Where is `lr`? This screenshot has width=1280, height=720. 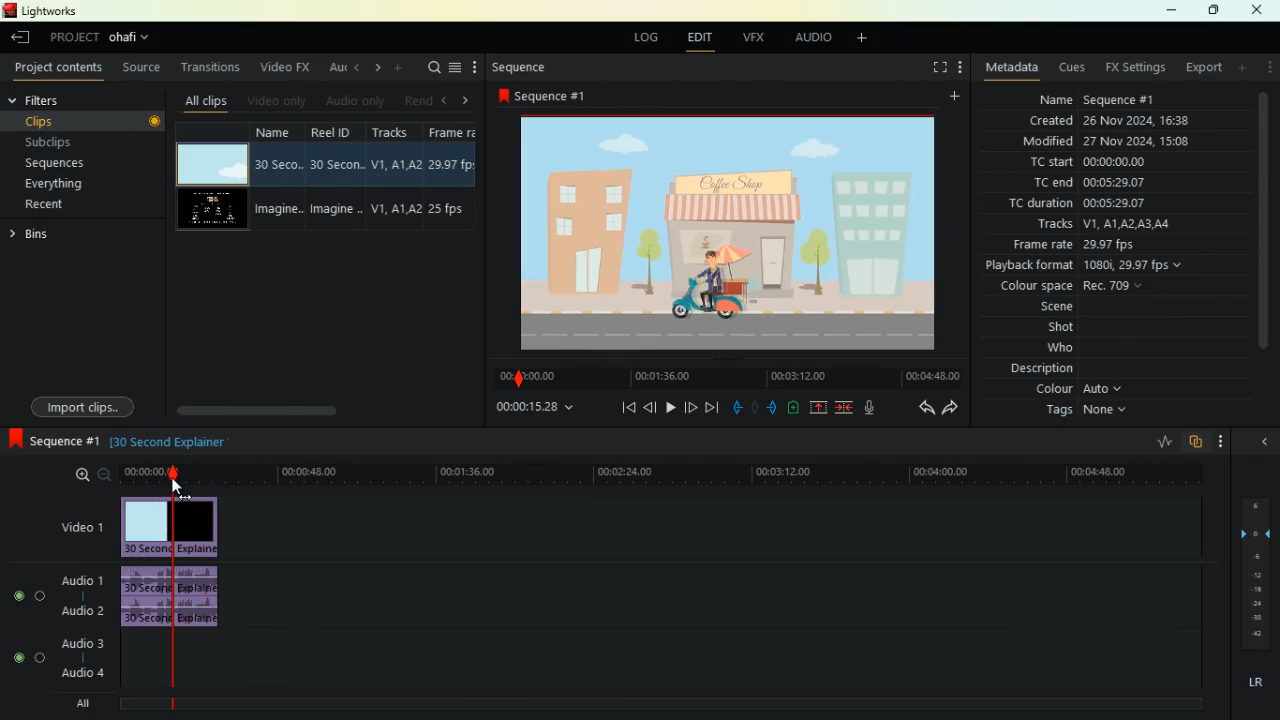
lr is located at coordinates (1254, 684).